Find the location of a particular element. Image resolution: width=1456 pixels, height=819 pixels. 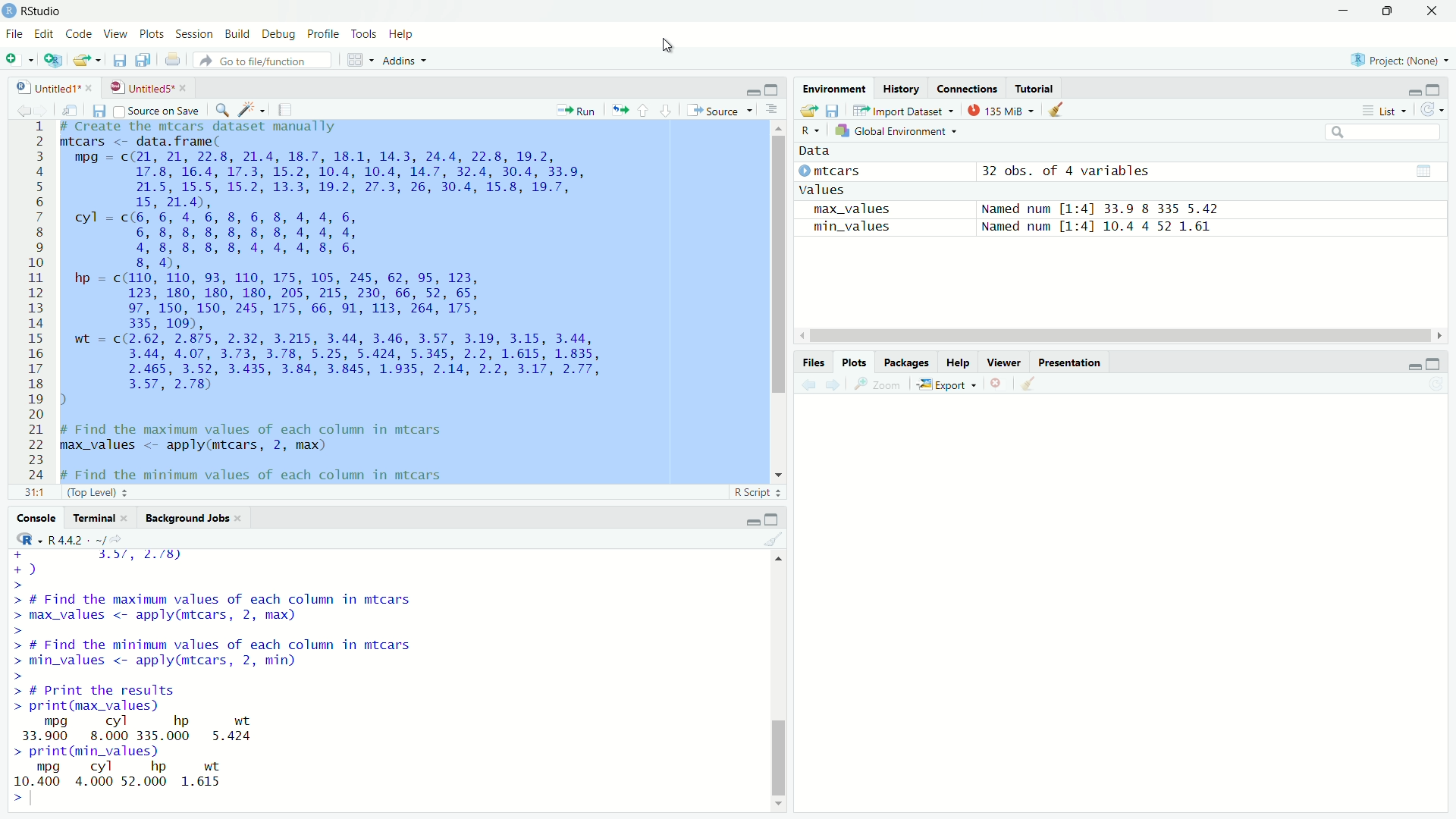

Data

Omtcars 32 obs. of 4 variables

values
max_values Named num [1:4] 33.9 8 335 5.42
min_values Named num [1:4] 10.4 4 52 1.61 is located at coordinates (1023, 186).